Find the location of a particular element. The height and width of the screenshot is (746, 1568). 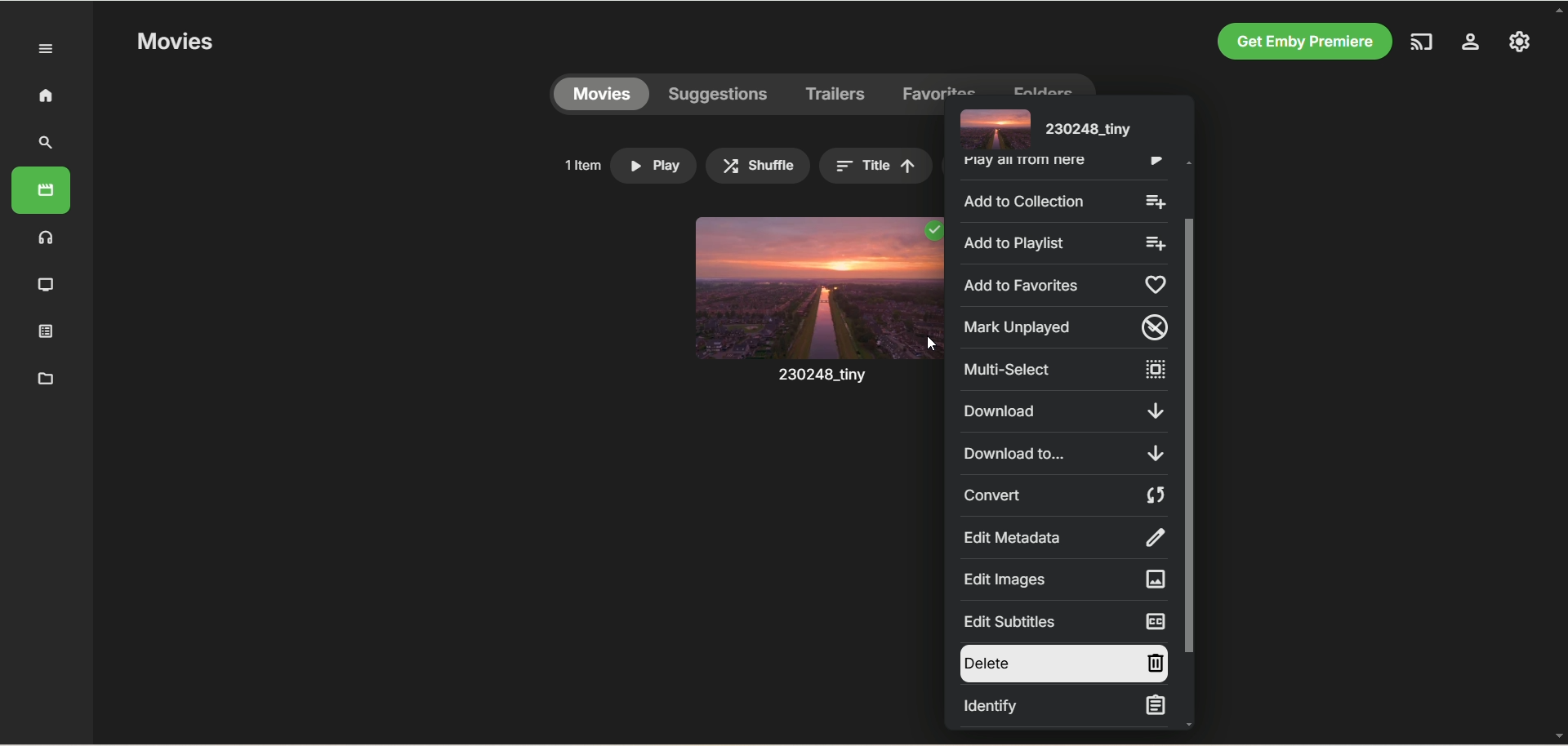

movie title is located at coordinates (1043, 128).